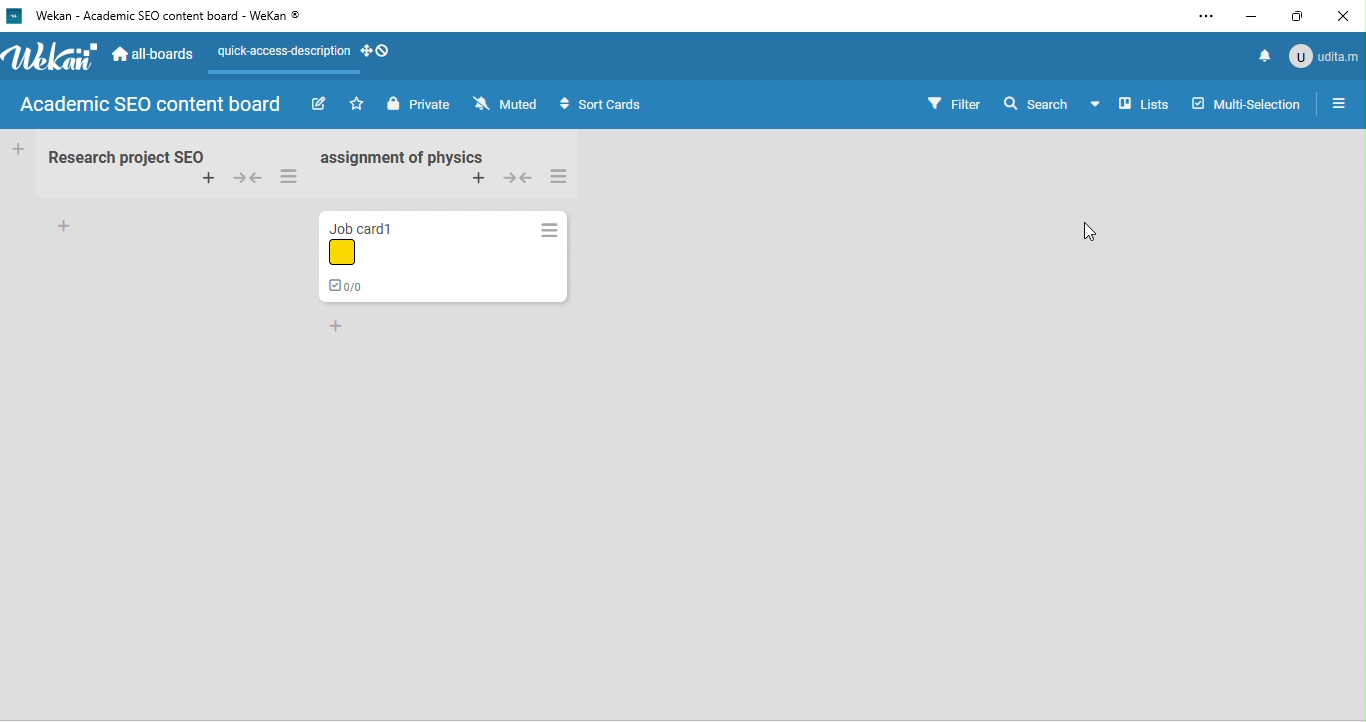 The image size is (1366, 722). Describe the element at coordinates (517, 178) in the screenshot. I see `collapse` at that location.